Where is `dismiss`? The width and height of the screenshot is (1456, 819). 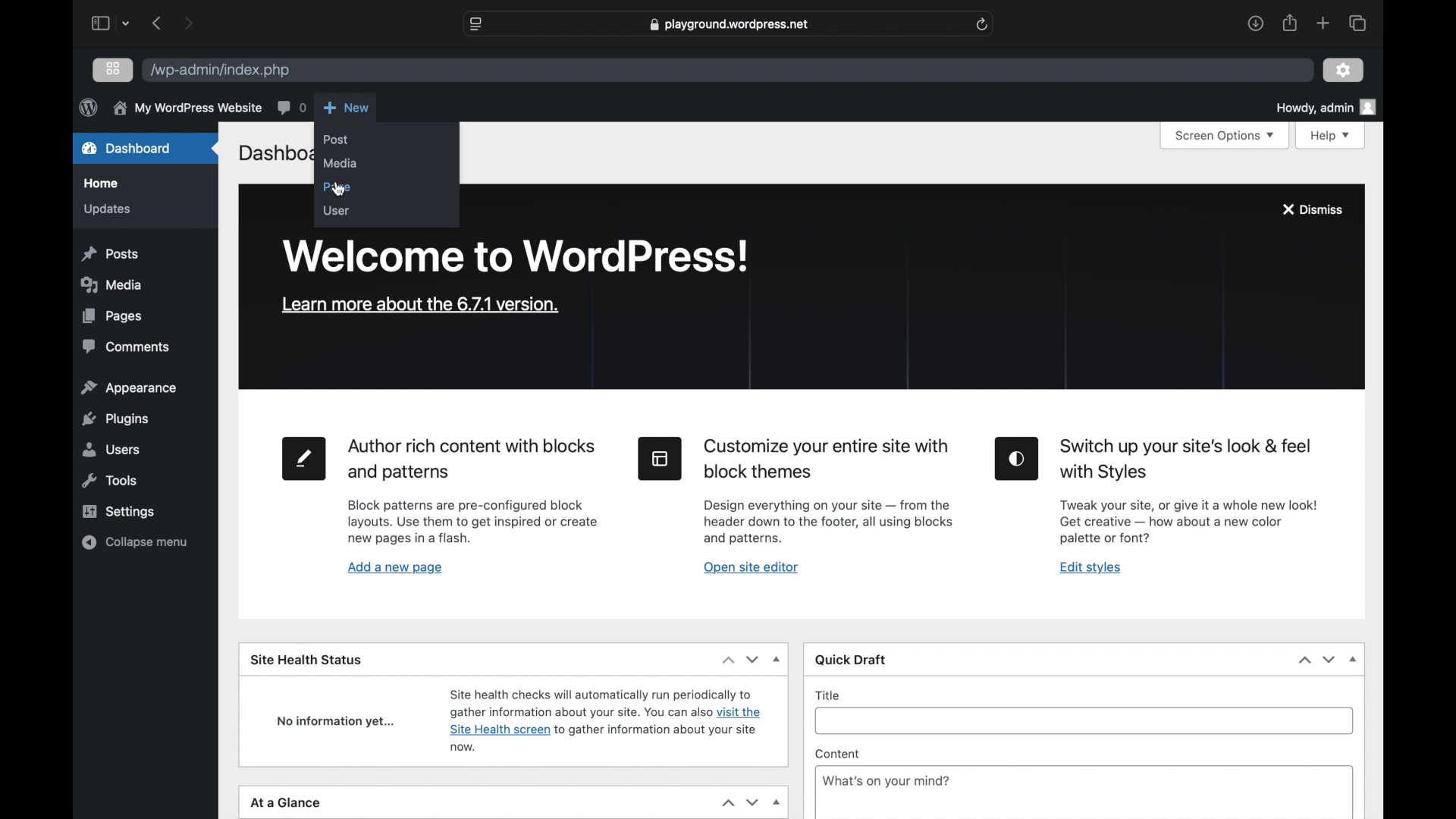 dismiss is located at coordinates (1313, 210).